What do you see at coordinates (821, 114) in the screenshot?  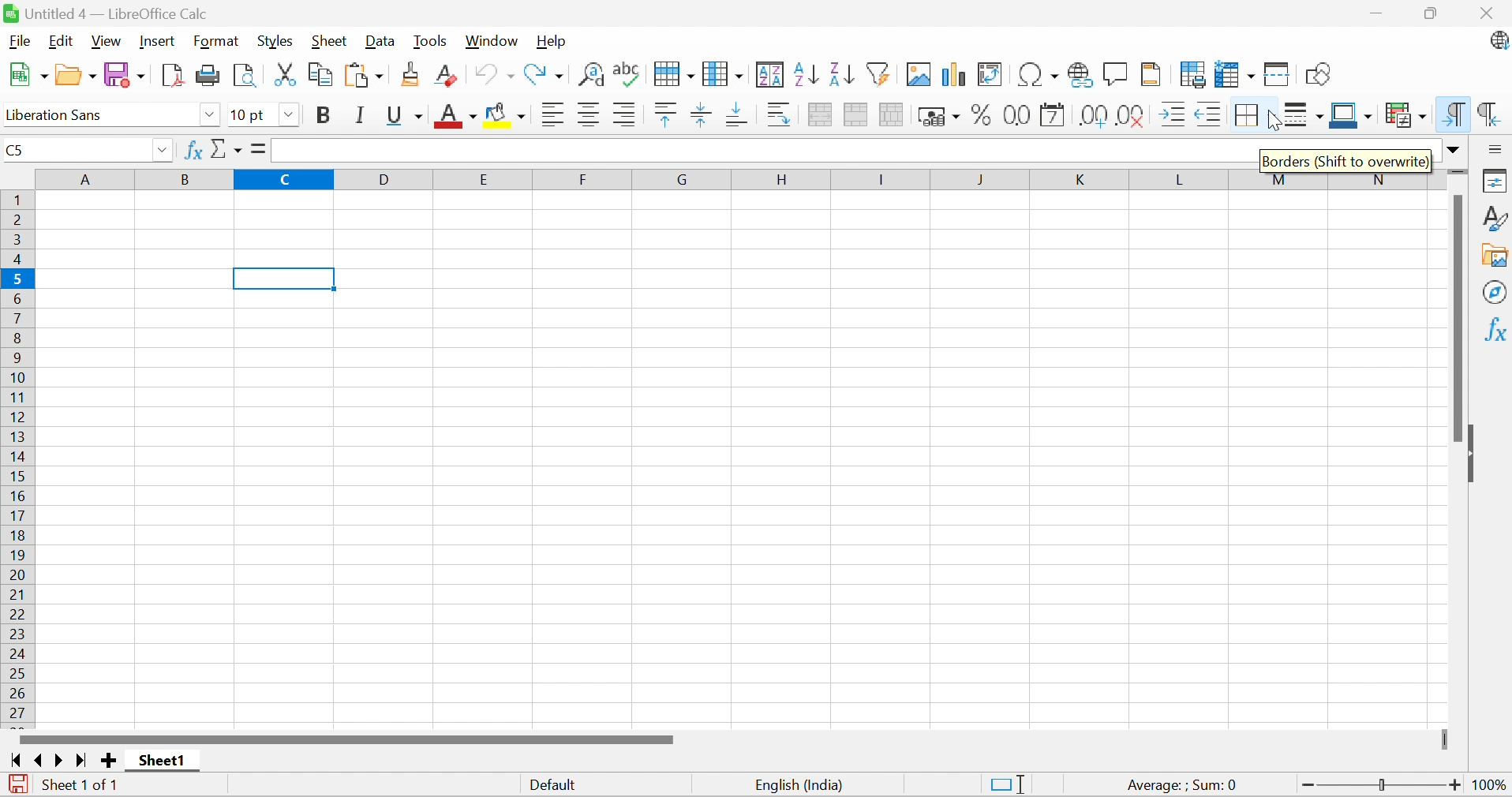 I see `Merge and center or unmerge cells depending on the current toggle state` at bounding box center [821, 114].